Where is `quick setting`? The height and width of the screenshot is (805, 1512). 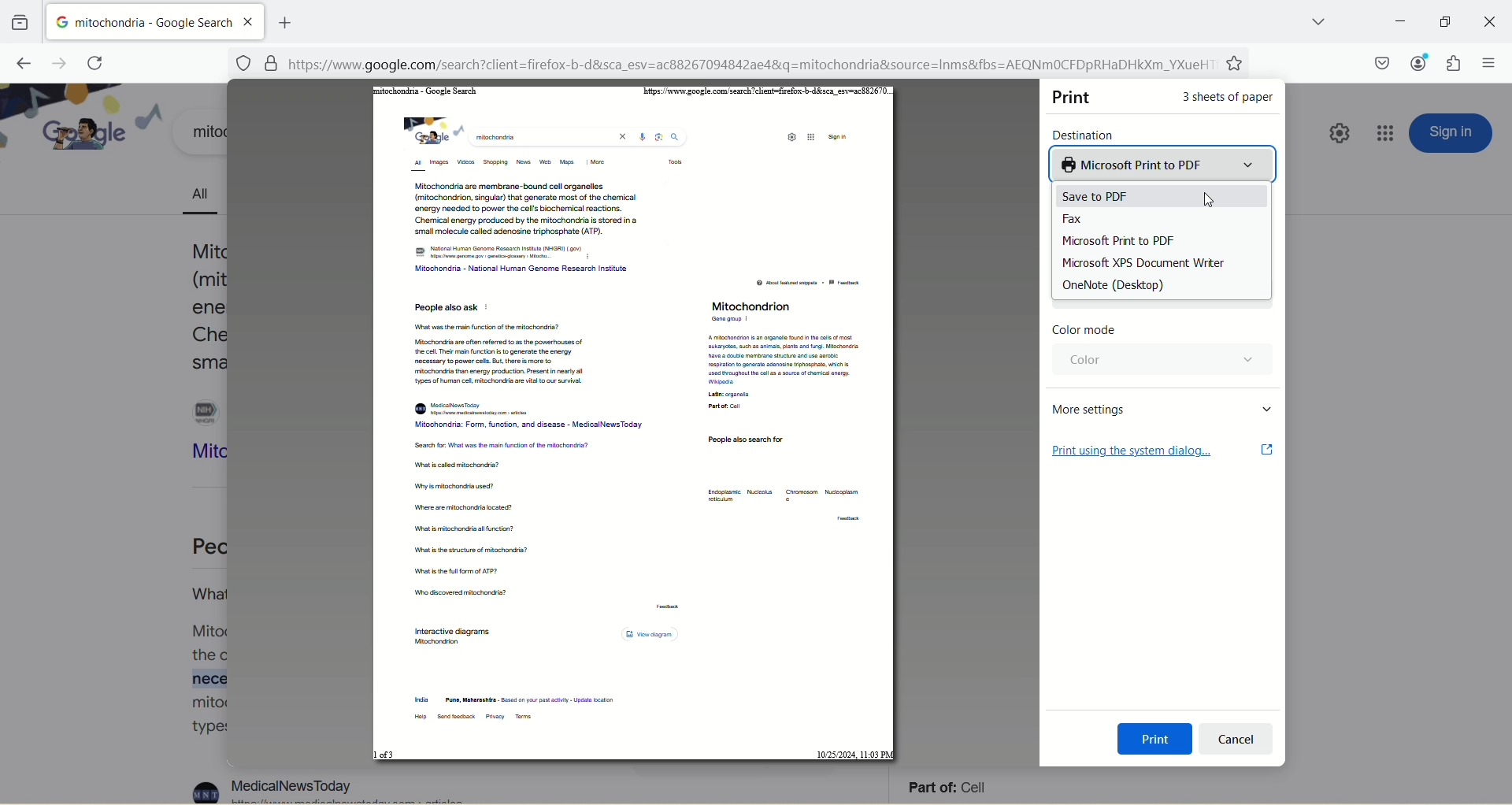
quick setting is located at coordinates (1336, 136).